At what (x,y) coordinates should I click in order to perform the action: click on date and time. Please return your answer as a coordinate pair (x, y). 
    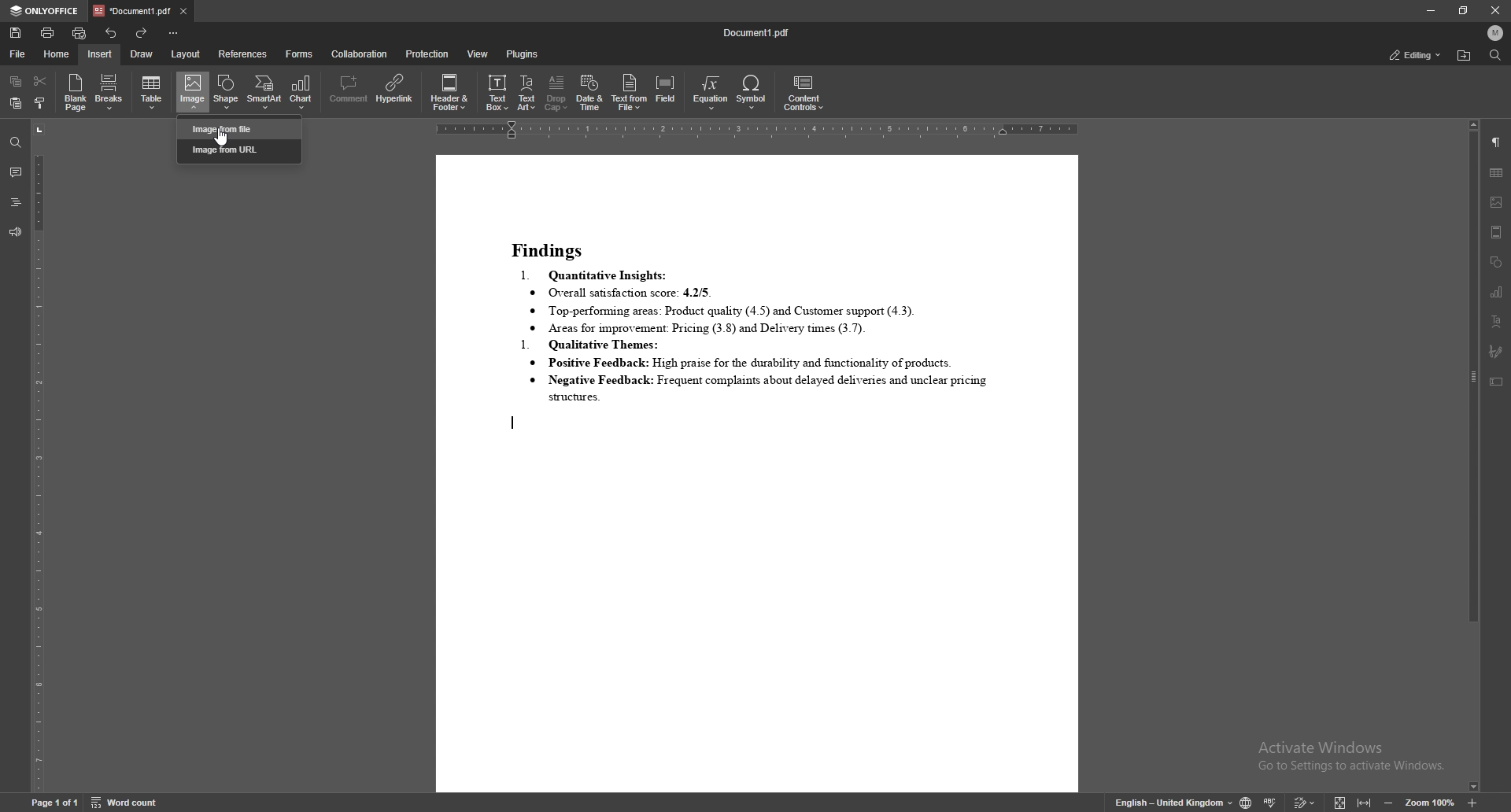
    Looking at the image, I should click on (589, 93).